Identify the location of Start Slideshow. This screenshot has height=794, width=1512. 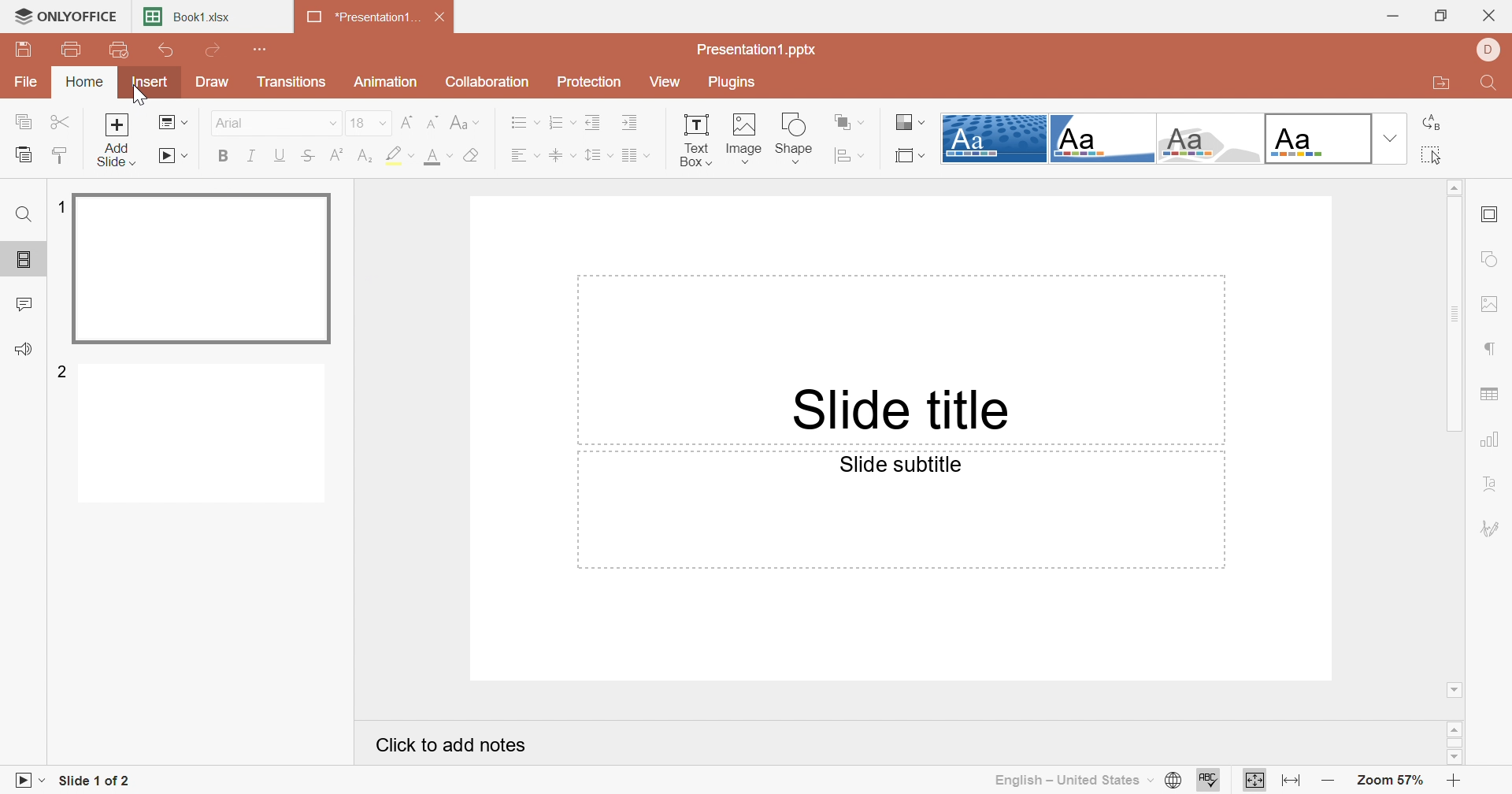
(173, 155).